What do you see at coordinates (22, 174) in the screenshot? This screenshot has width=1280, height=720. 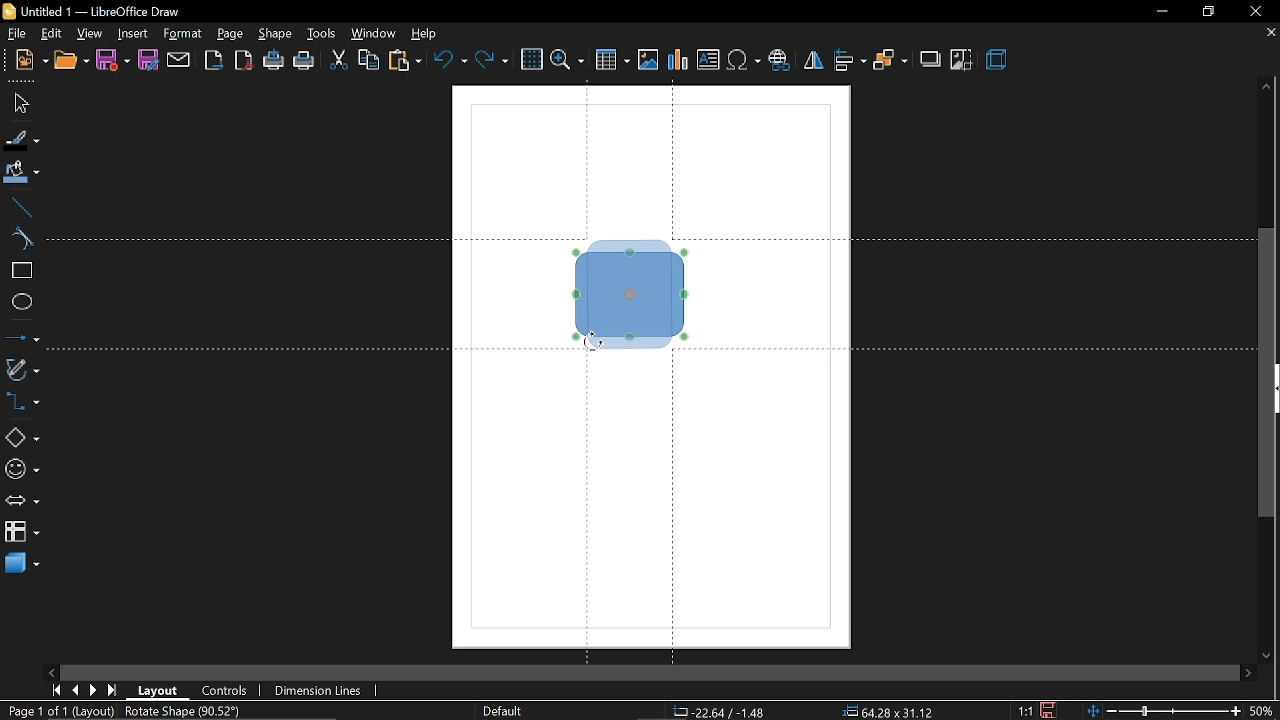 I see `fill color` at bounding box center [22, 174].